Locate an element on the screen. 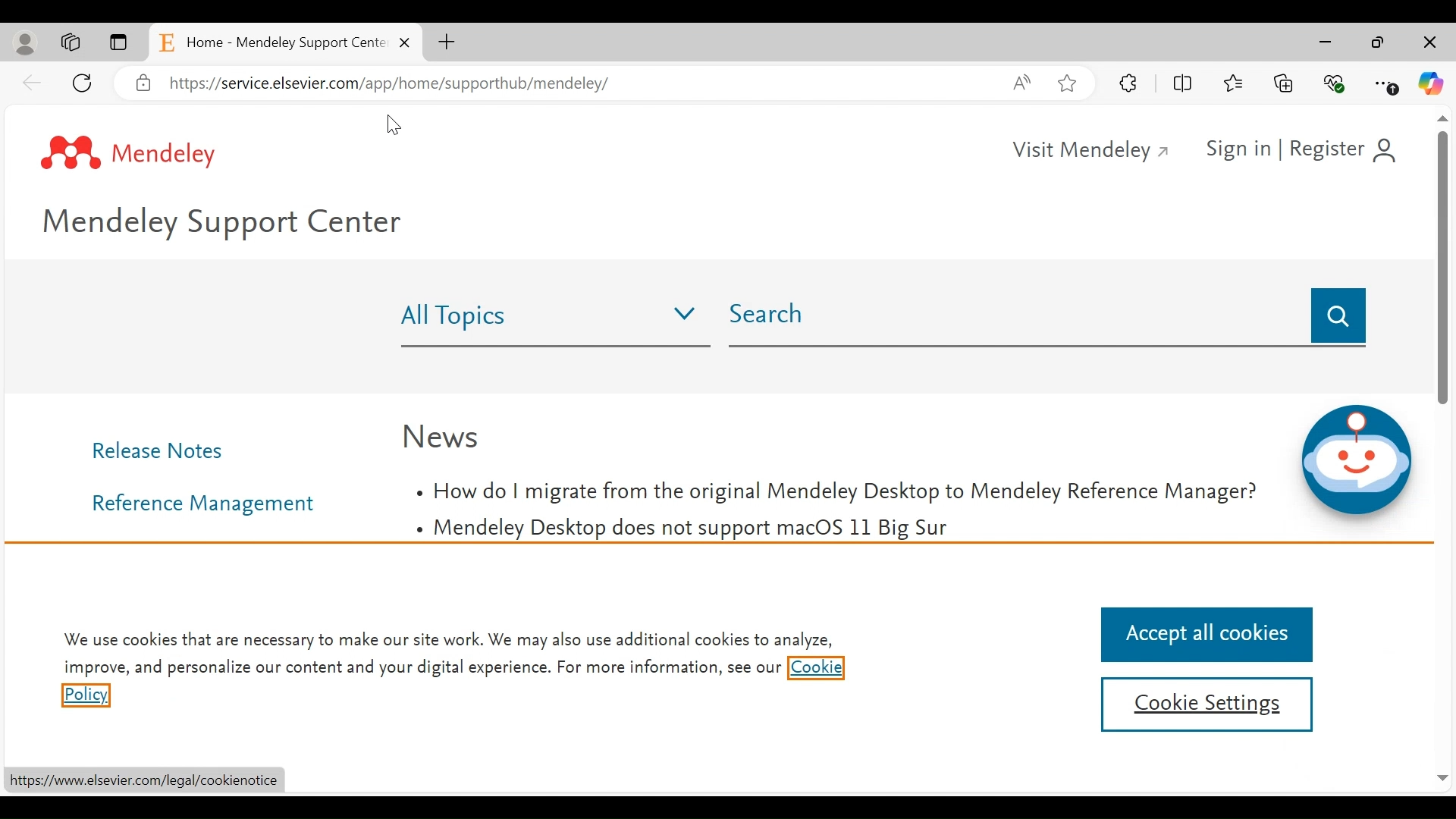  Sign In is located at coordinates (1235, 148).